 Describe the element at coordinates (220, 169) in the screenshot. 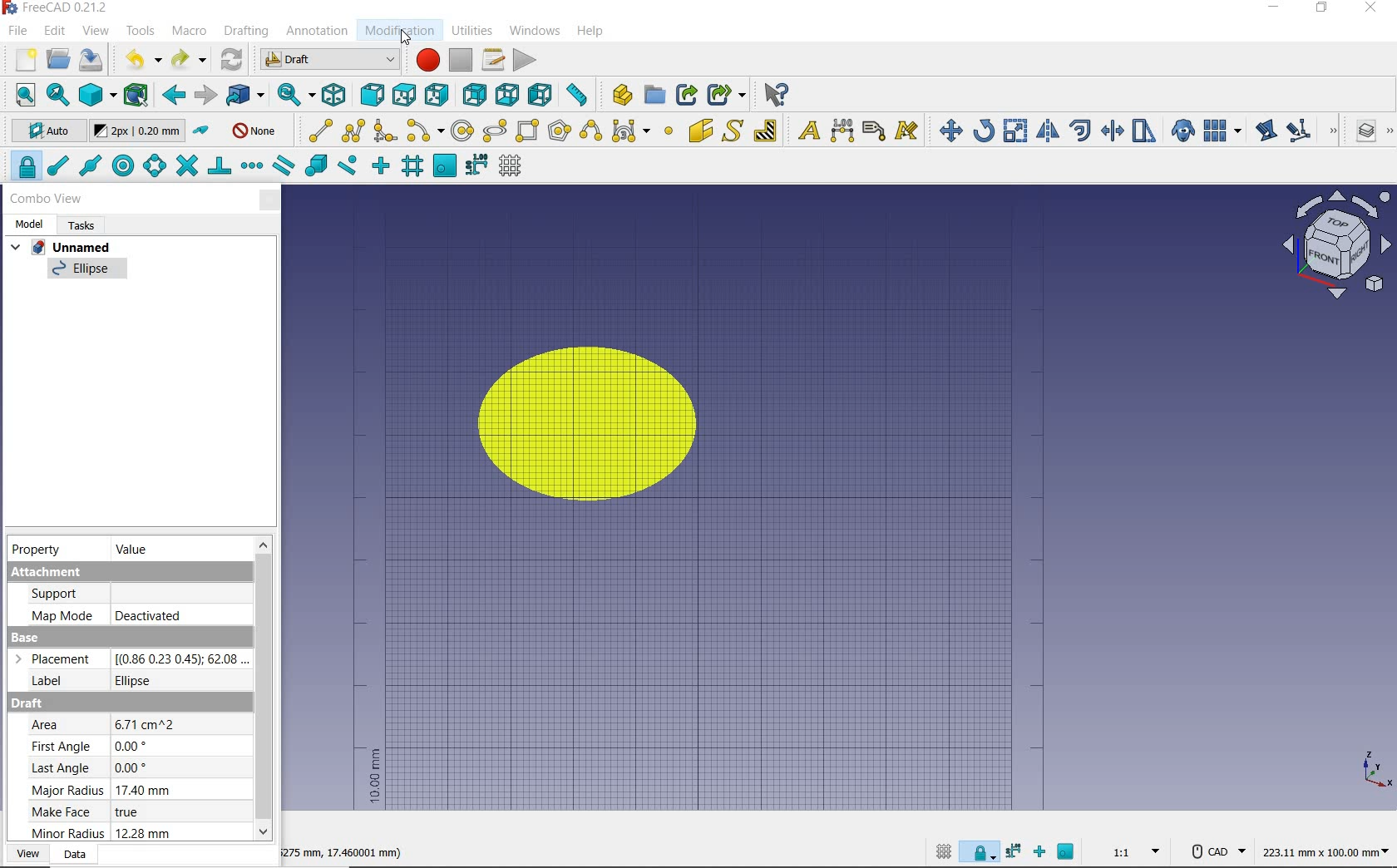

I see `snap perpendicular` at that location.